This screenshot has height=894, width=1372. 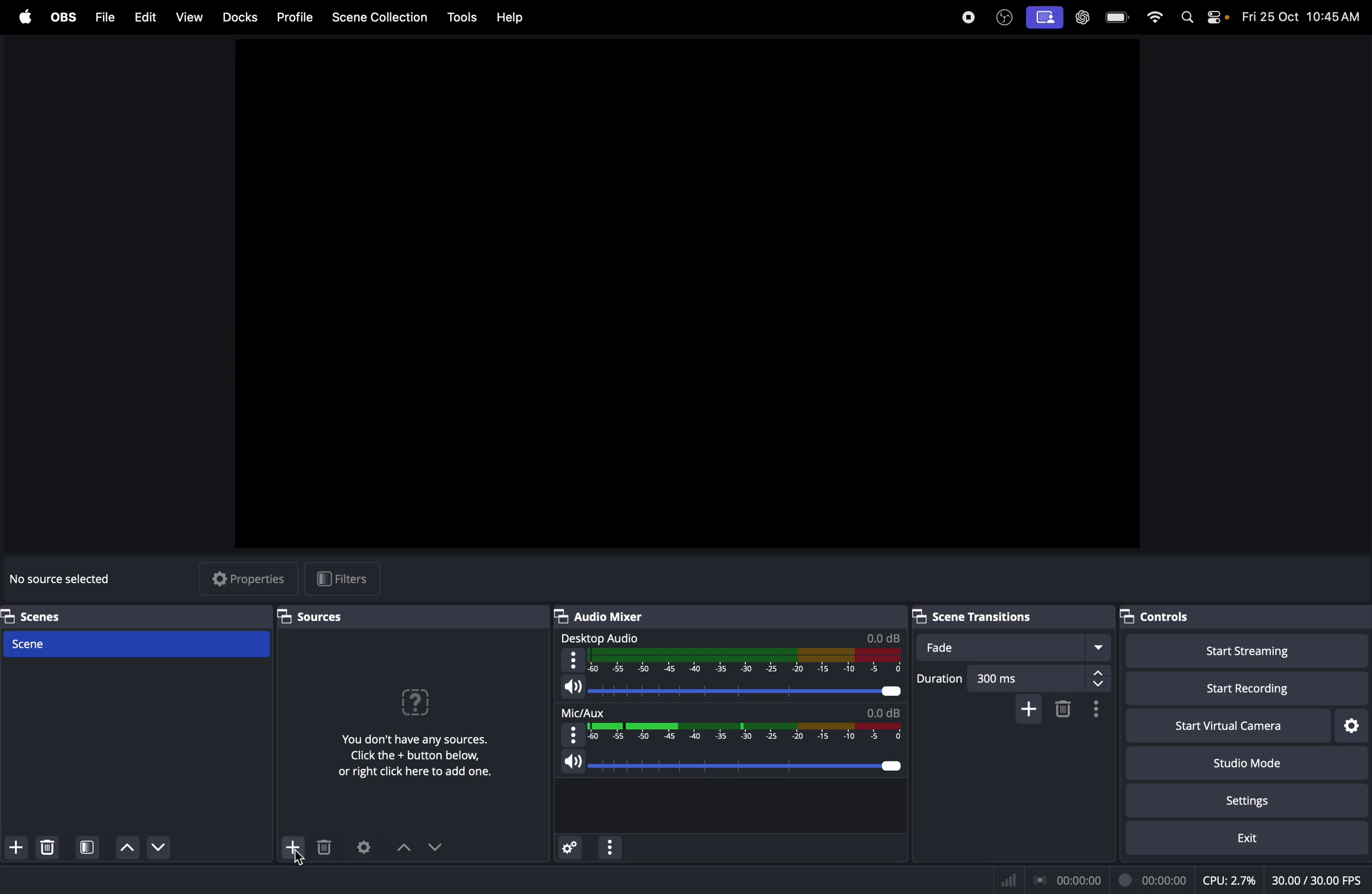 What do you see at coordinates (1243, 761) in the screenshot?
I see `studio mode` at bounding box center [1243, 761].